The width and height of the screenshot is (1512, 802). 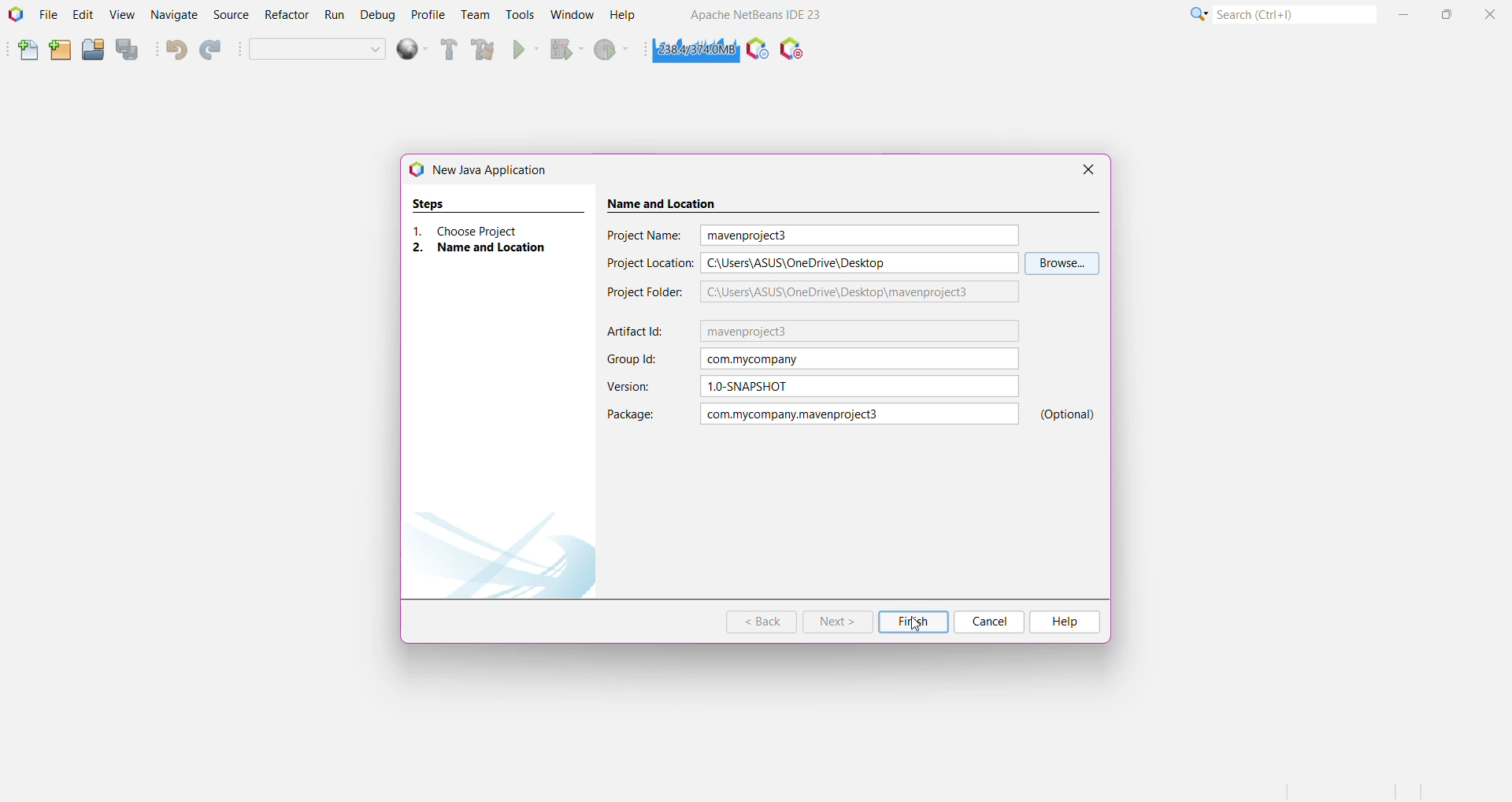 I want to click on Project Name, so click(x=647, y=235).